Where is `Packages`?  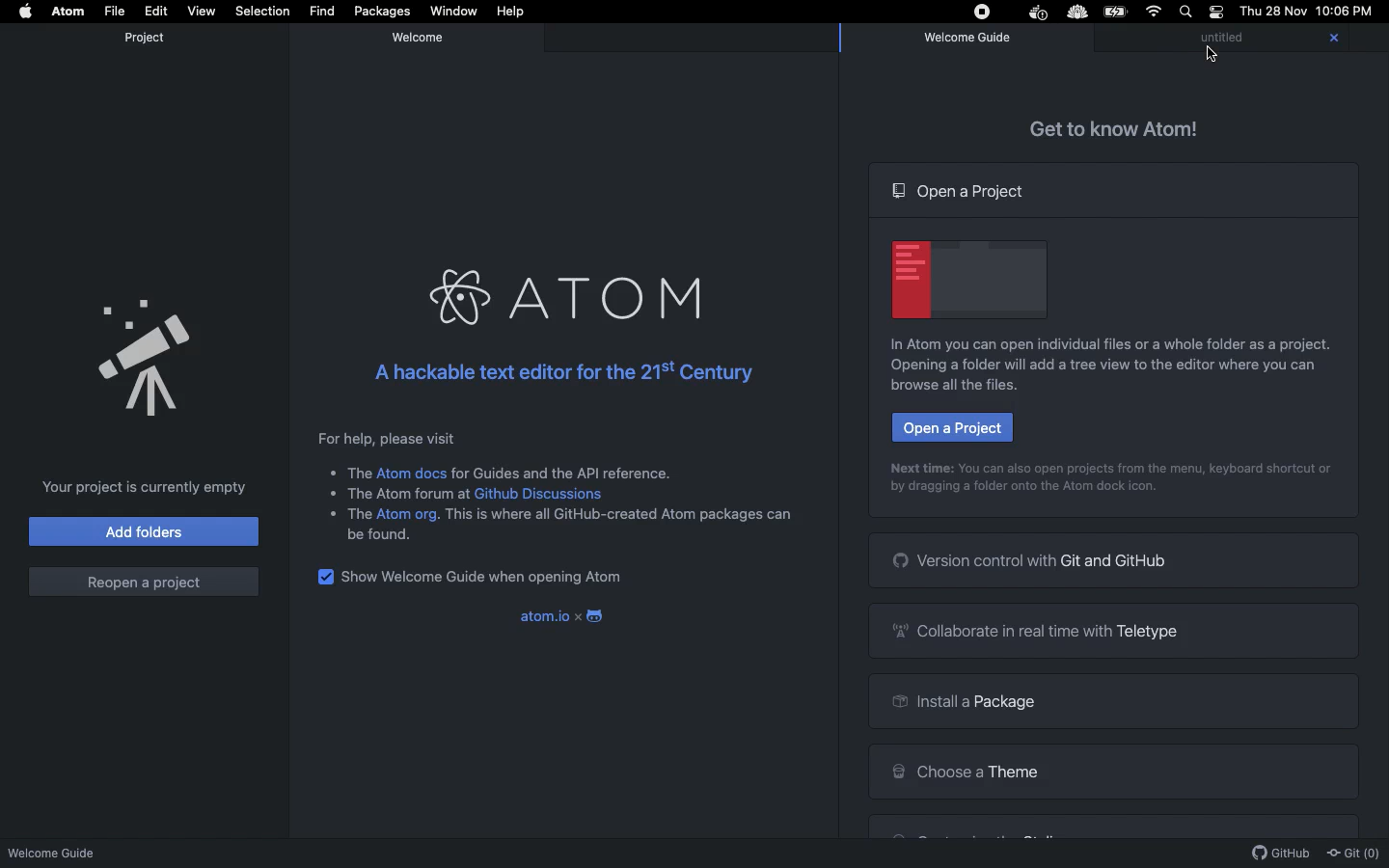 Packages is located at coordinates (380, 12).